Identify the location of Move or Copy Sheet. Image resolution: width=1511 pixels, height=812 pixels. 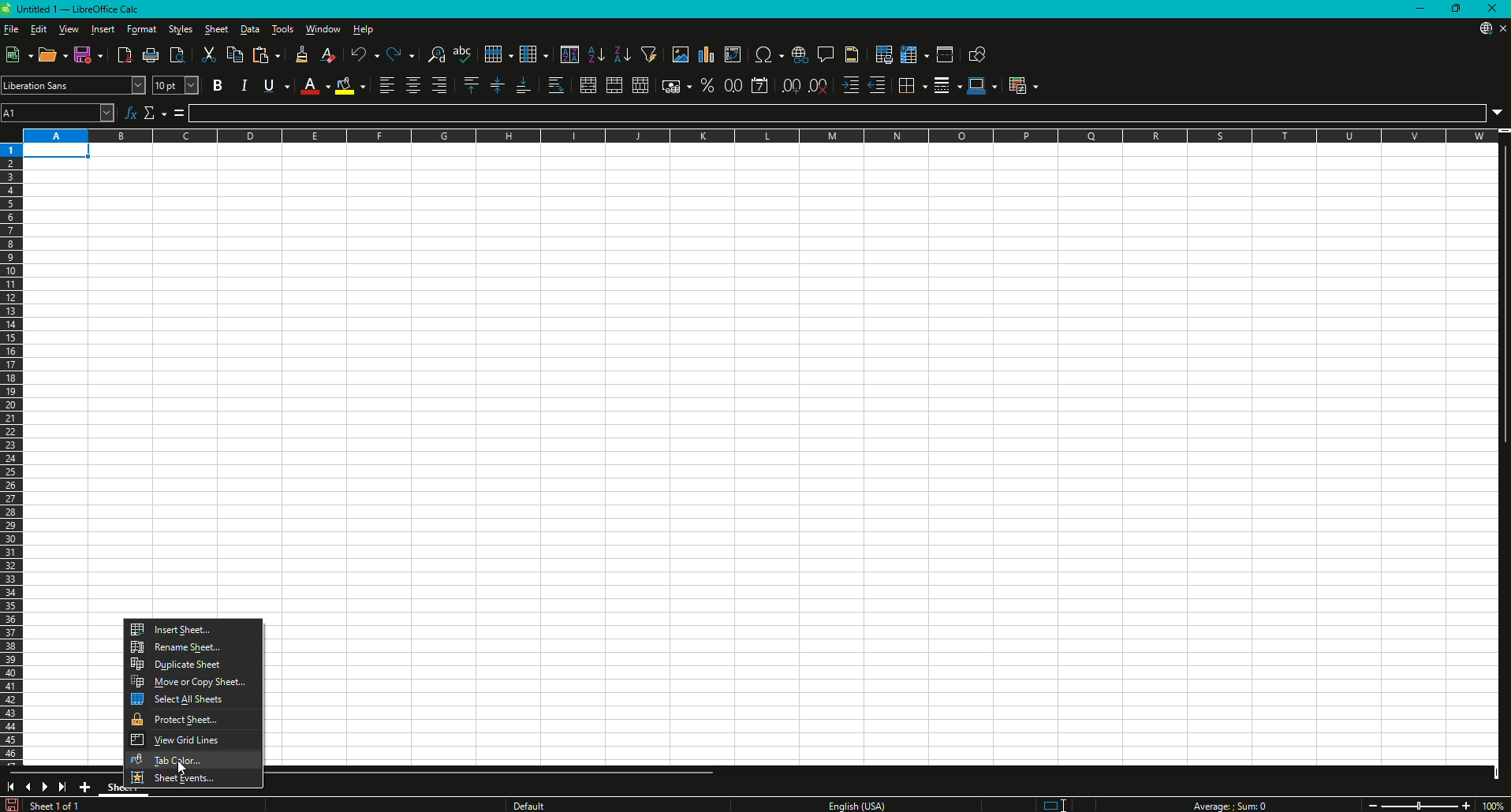
(192, 681).